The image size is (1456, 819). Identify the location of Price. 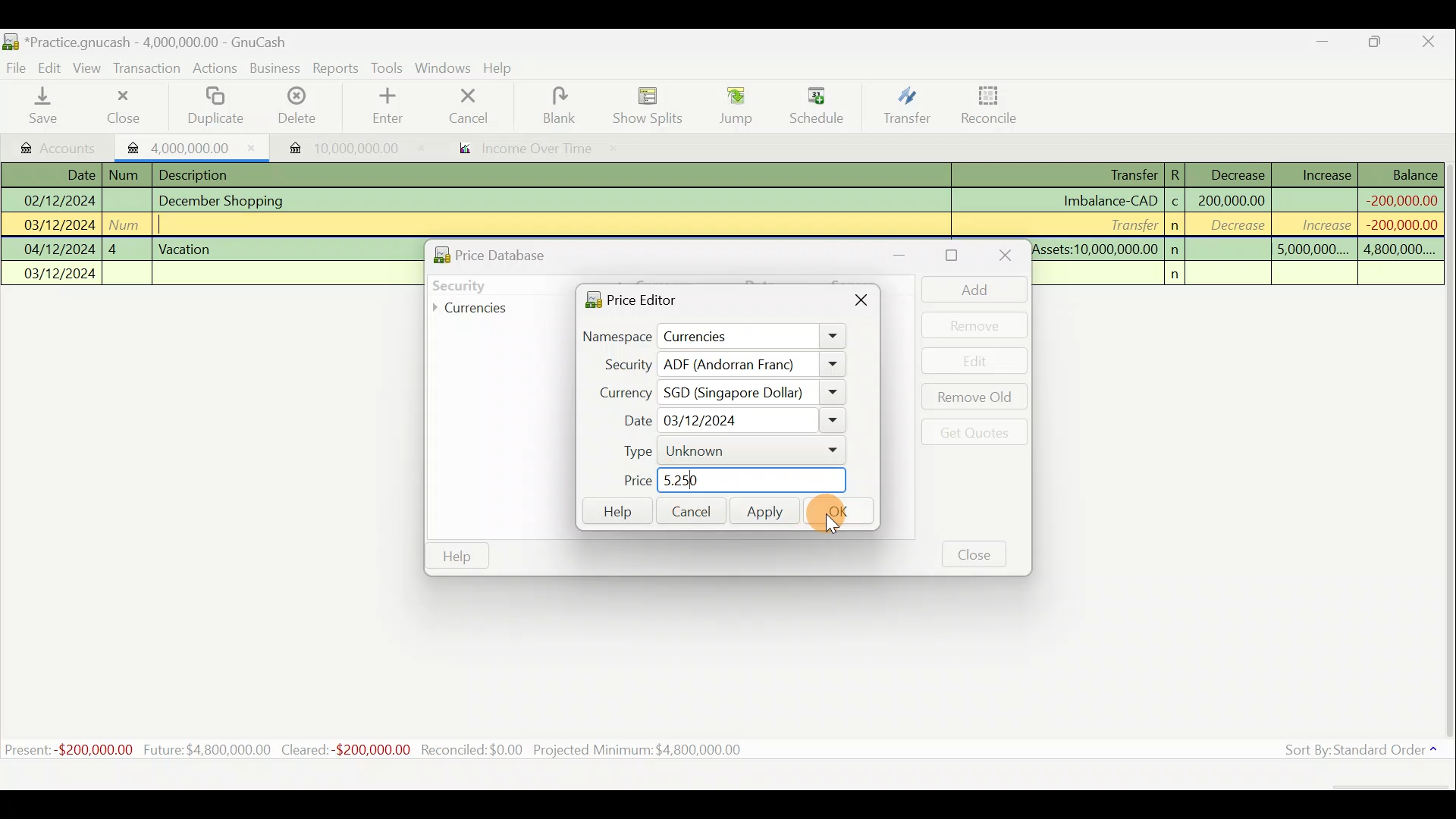
(632, 481).